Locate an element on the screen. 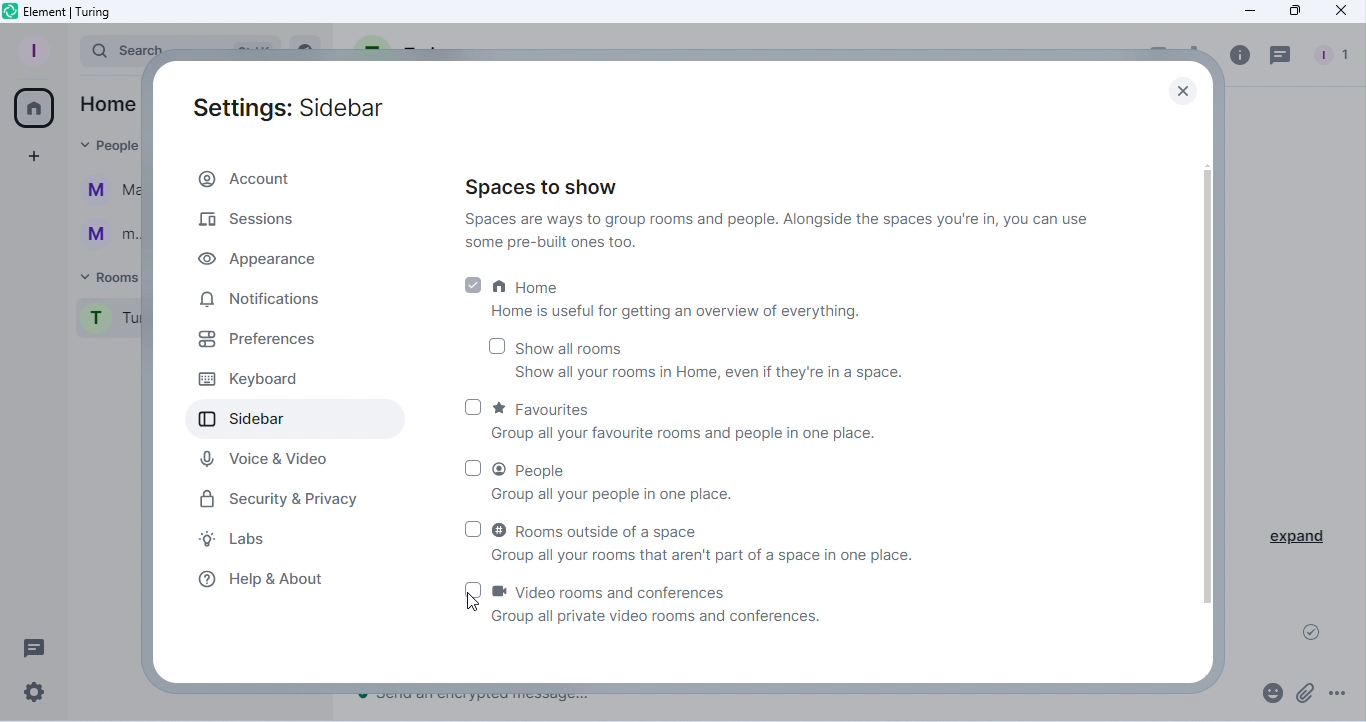  Close is located at coordinates (1339, 14).